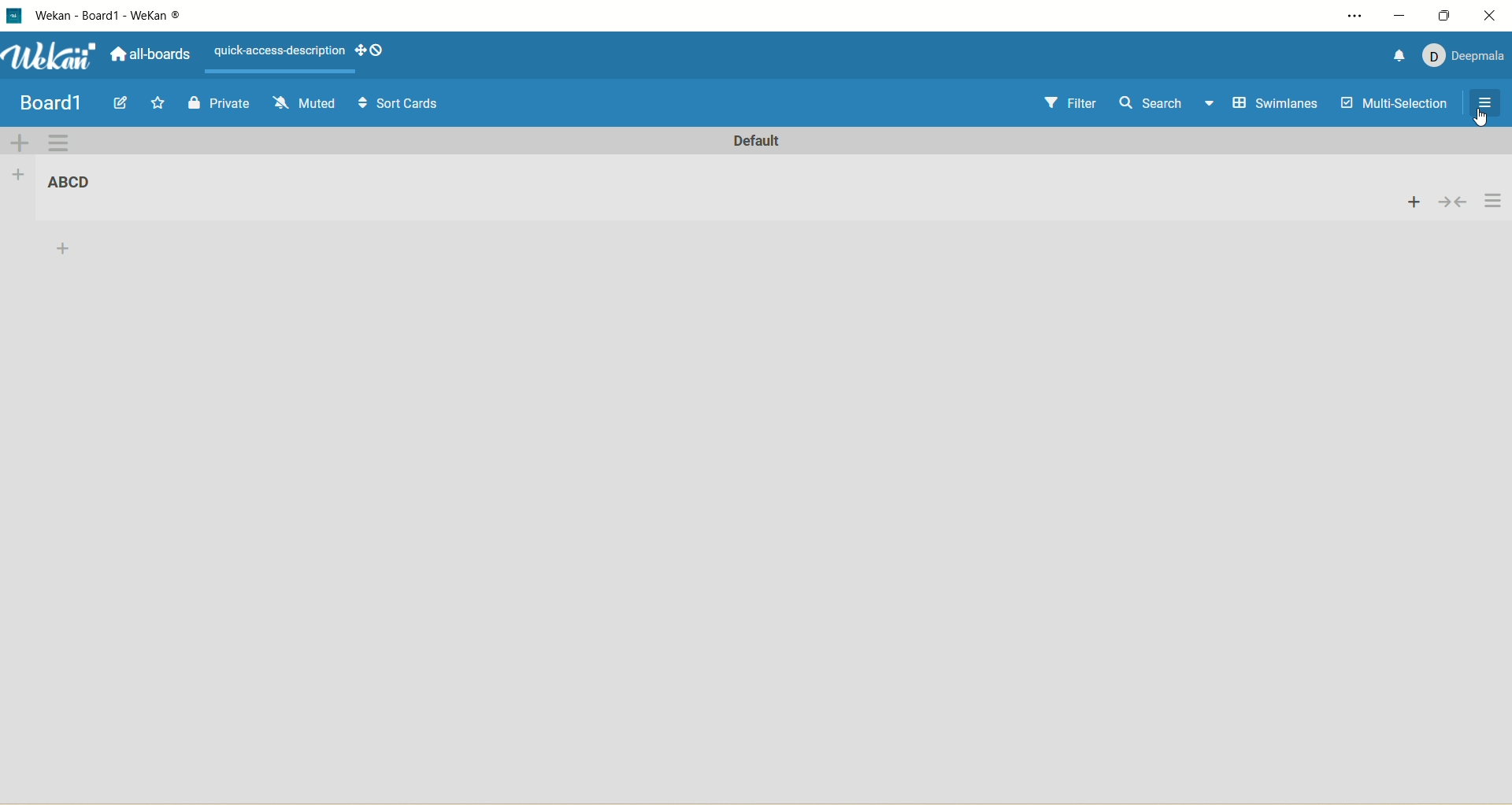 The width and height of the screenshot is (1512, 805). Describe the element at coordinates (1452, 202) in the screenshot. I see `collapse` at that location.